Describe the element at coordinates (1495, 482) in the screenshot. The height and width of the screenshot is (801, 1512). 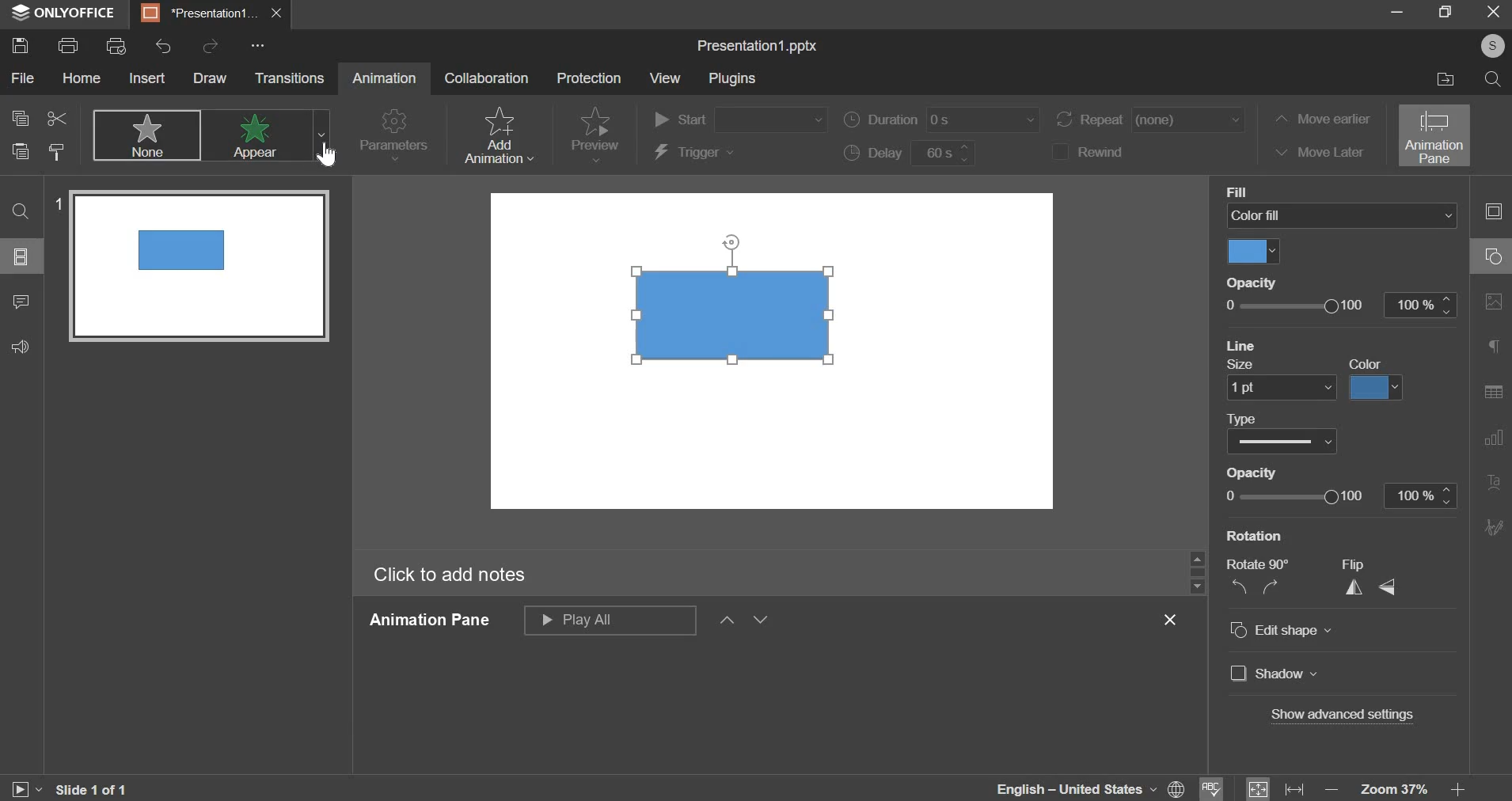
I see `Insert Audio/Video` at that location.